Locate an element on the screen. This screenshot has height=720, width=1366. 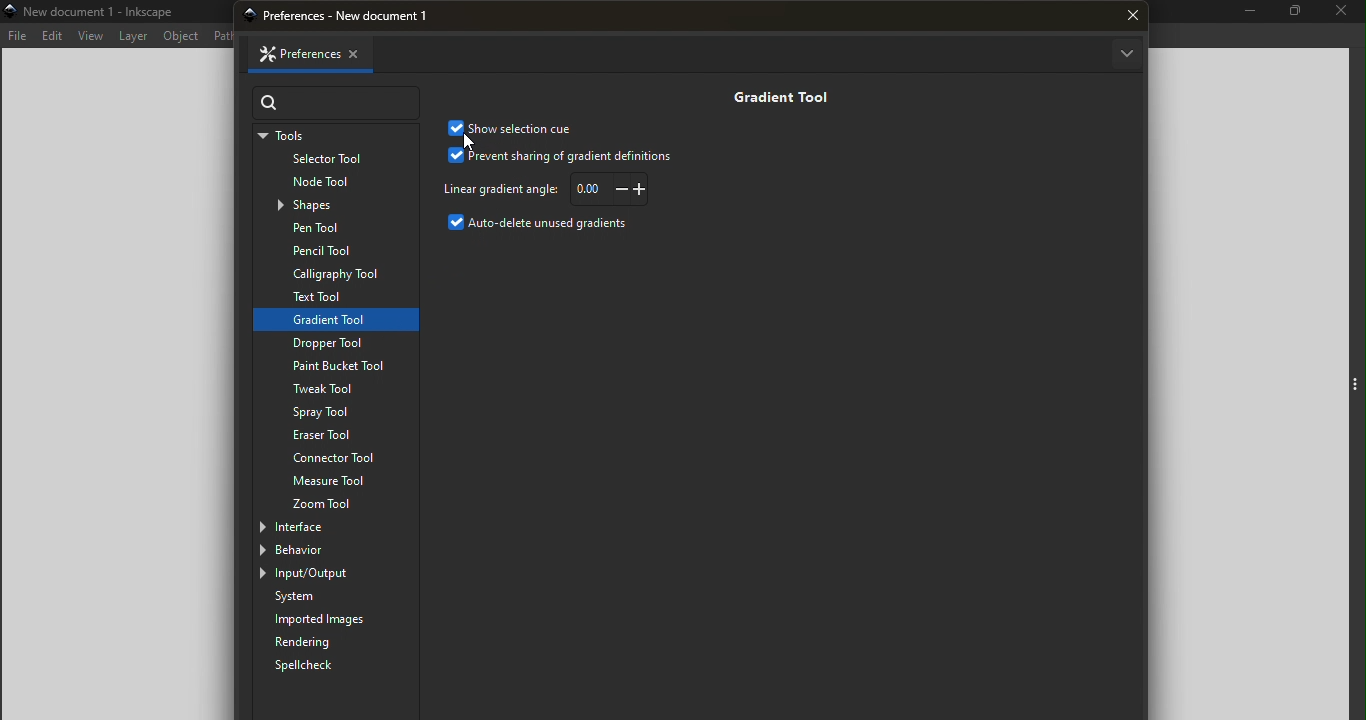
View is located at coordinates (90, 36).